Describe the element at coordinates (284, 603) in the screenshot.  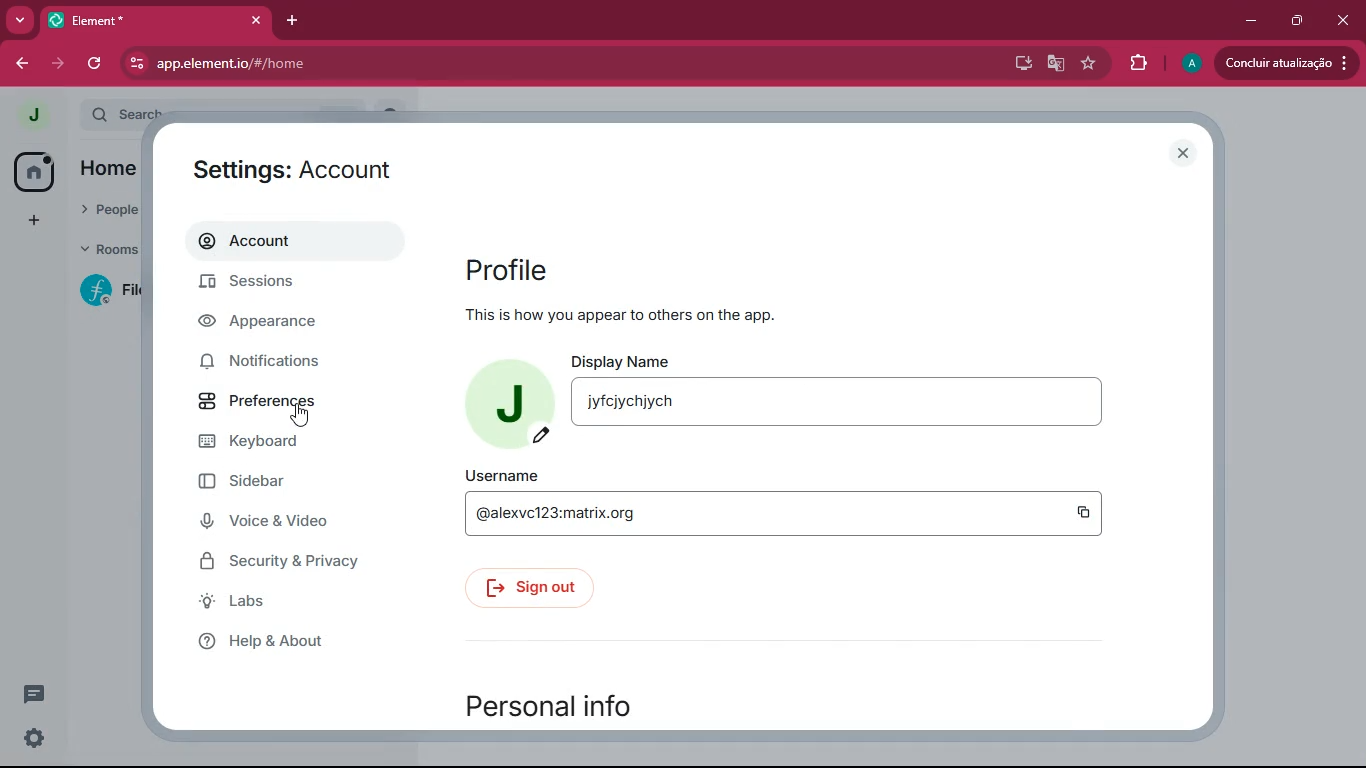
I see `labs` at that location.